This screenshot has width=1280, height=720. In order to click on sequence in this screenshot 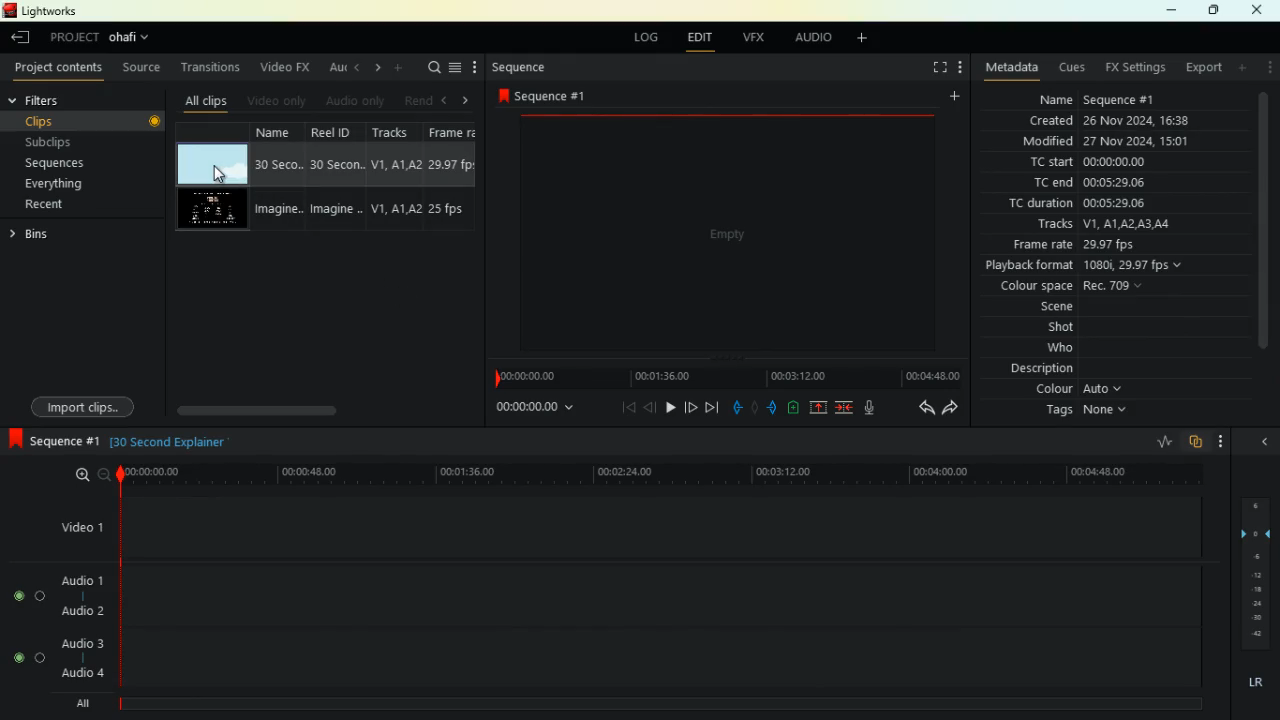, I will do `click(548, 97)`.